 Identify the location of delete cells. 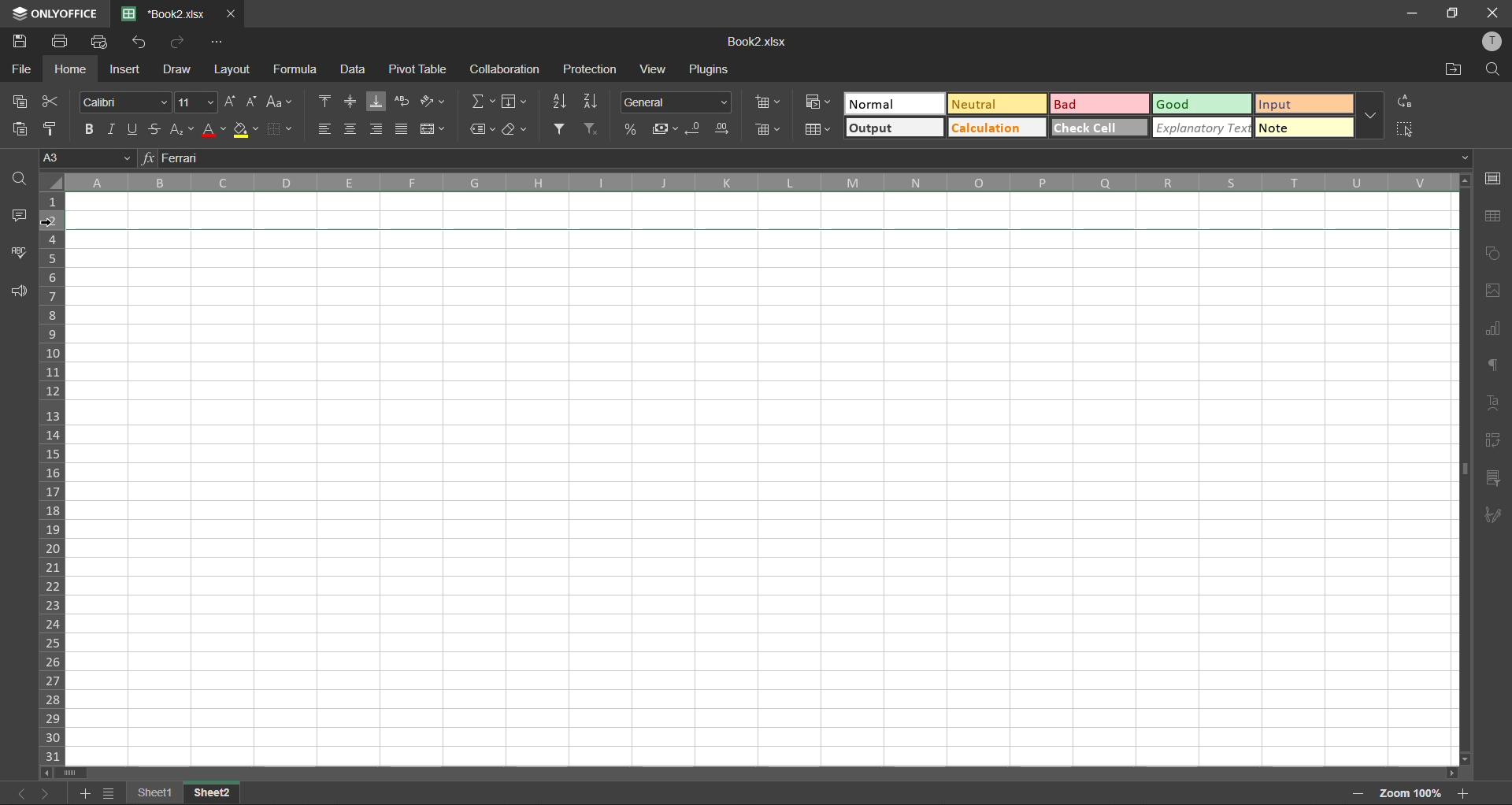
(769, 131).